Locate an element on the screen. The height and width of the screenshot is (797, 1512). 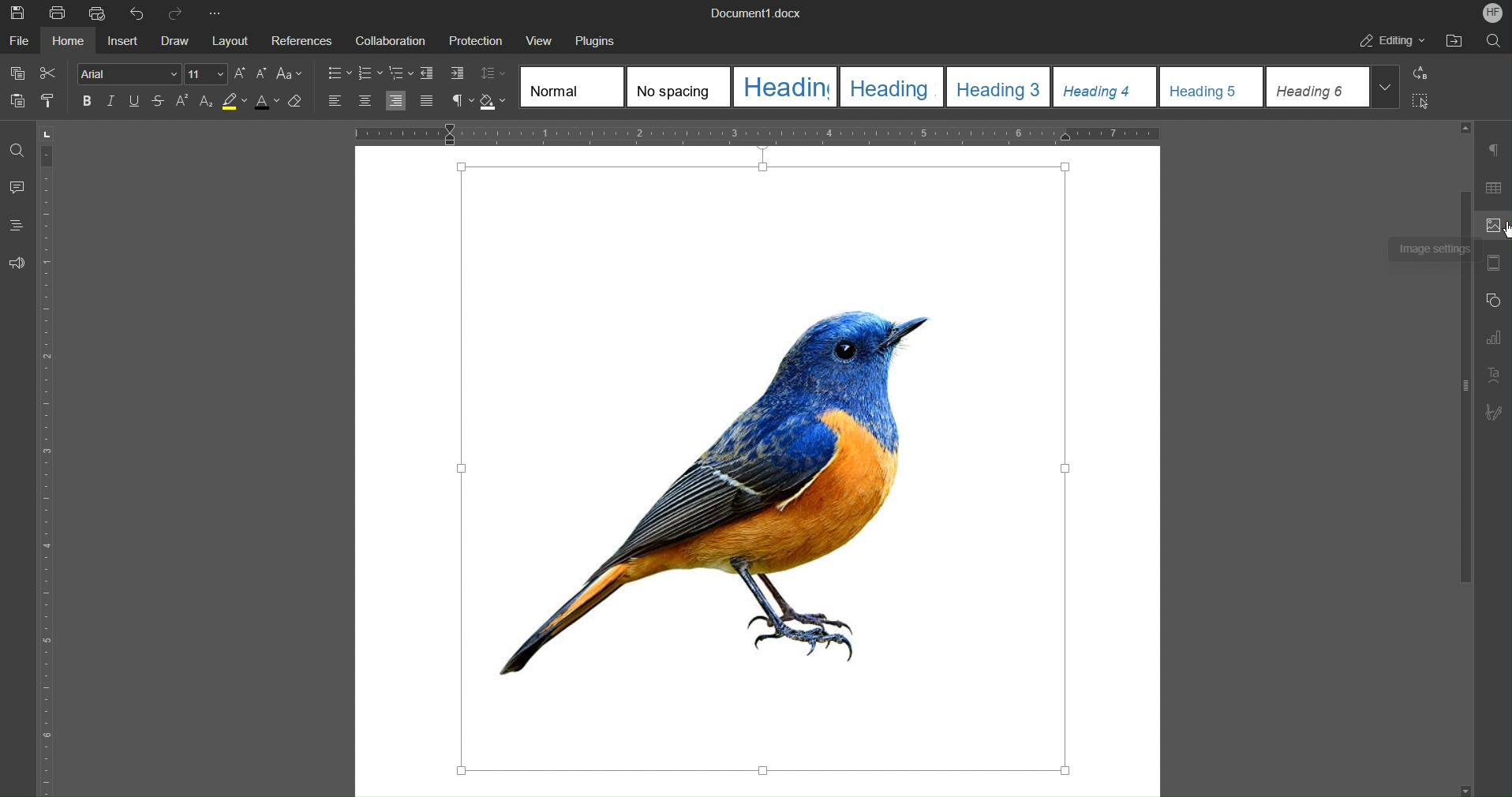
Image Selected is located at coordinates (767, 471).